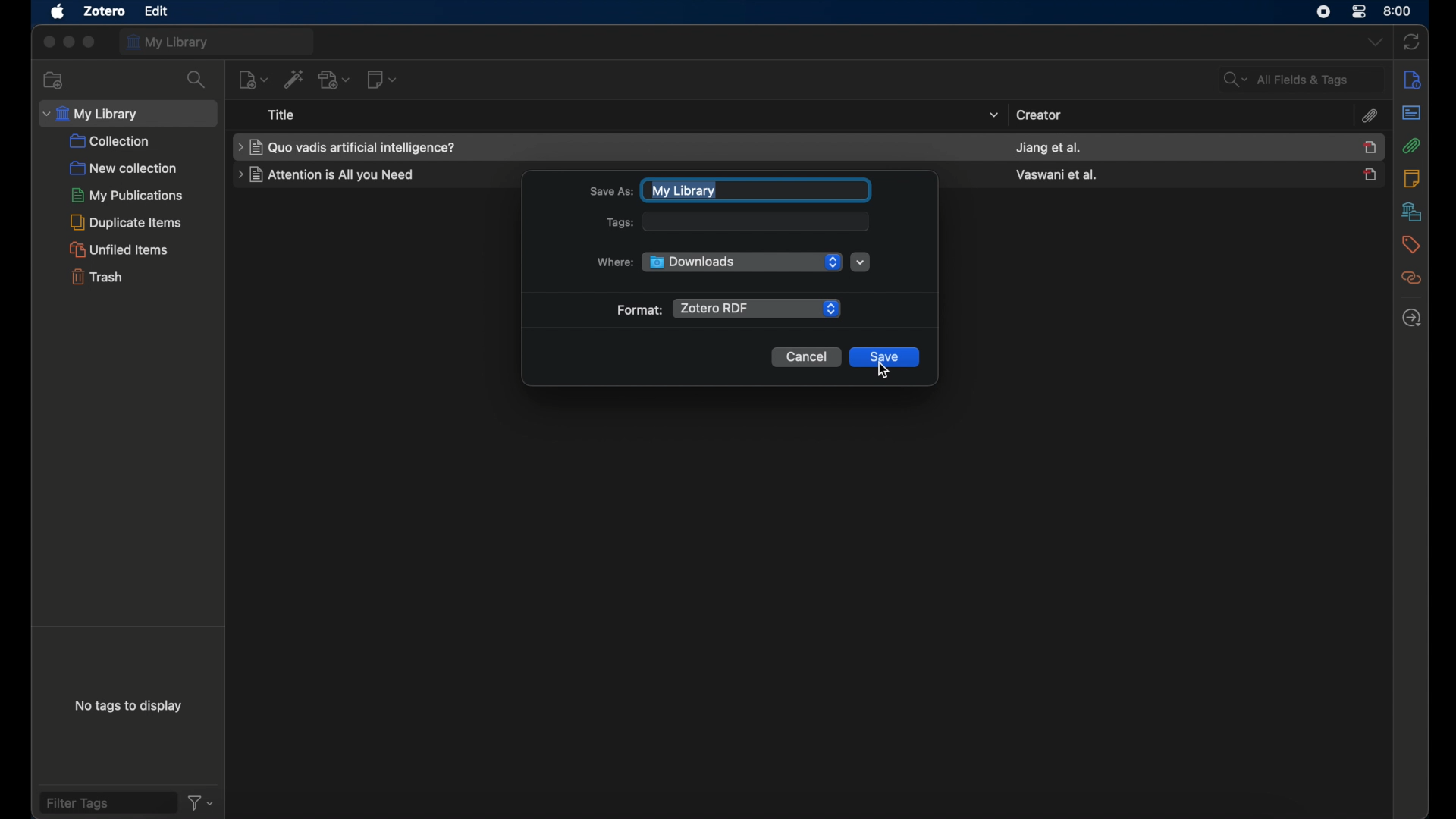  Describe the element at coordinates (1369, 117) in the screenshot. I see `attachments` at that location.